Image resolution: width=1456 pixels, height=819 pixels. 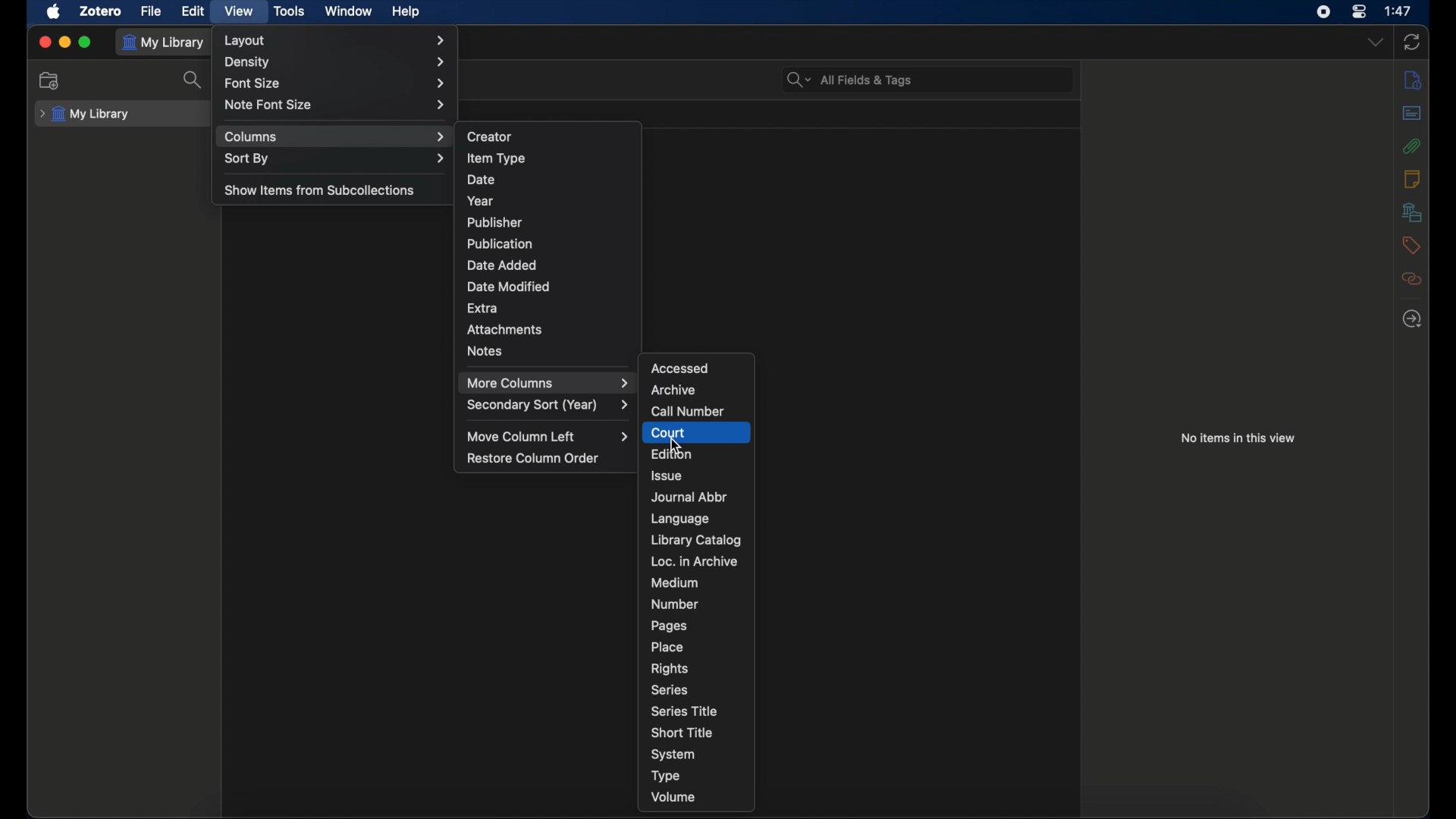 I want to click on new collection, so click(x=51, y=80).